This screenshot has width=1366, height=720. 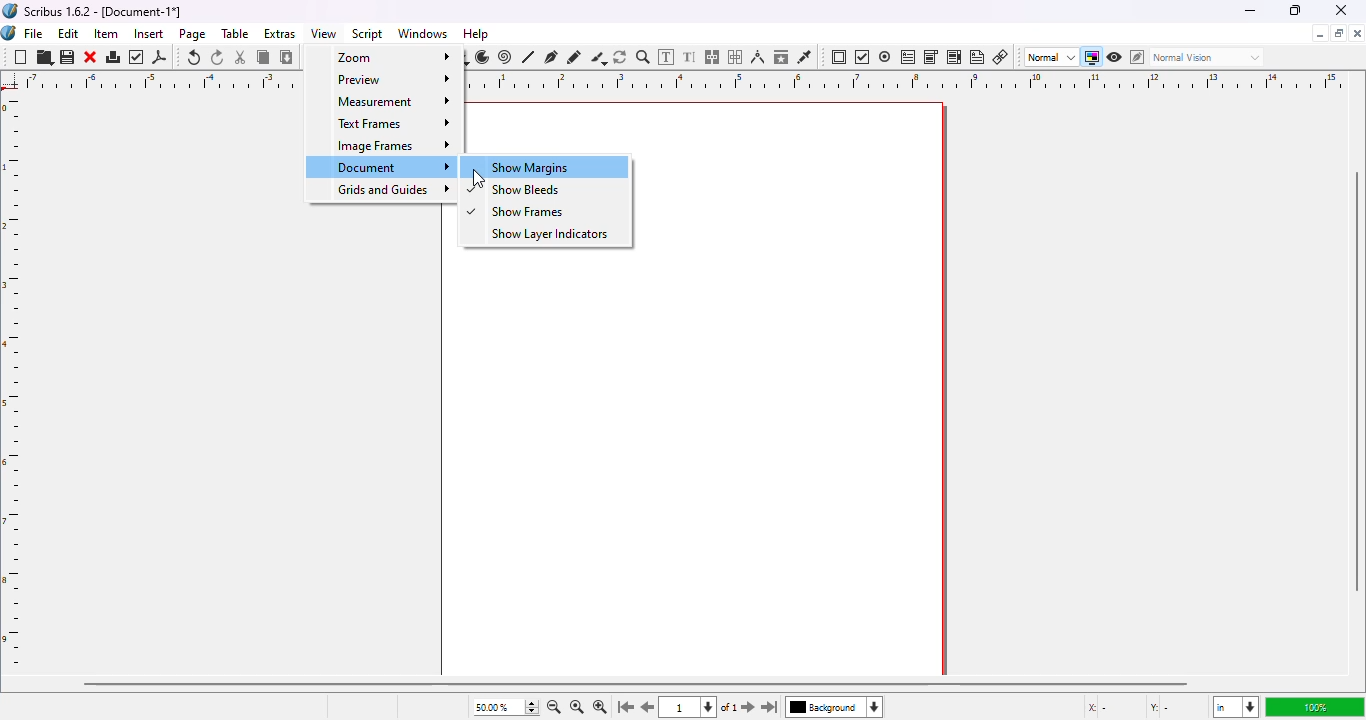 What do you see at coordinates (530, 707) in the screenshot?
I see `zoom in and out` at bounding box center [530, 707].